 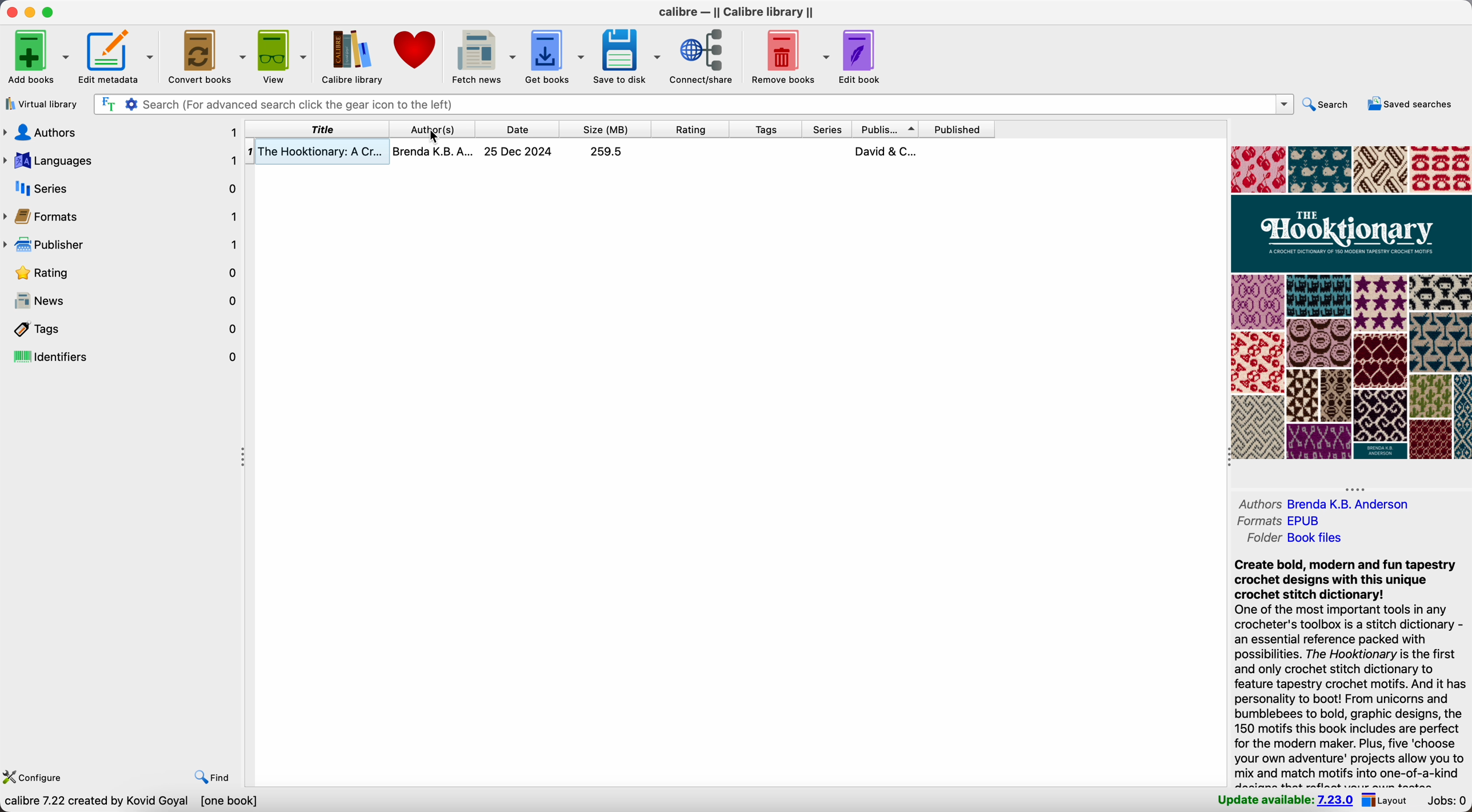 I want to click on maximize, so click(x=49, y=11).